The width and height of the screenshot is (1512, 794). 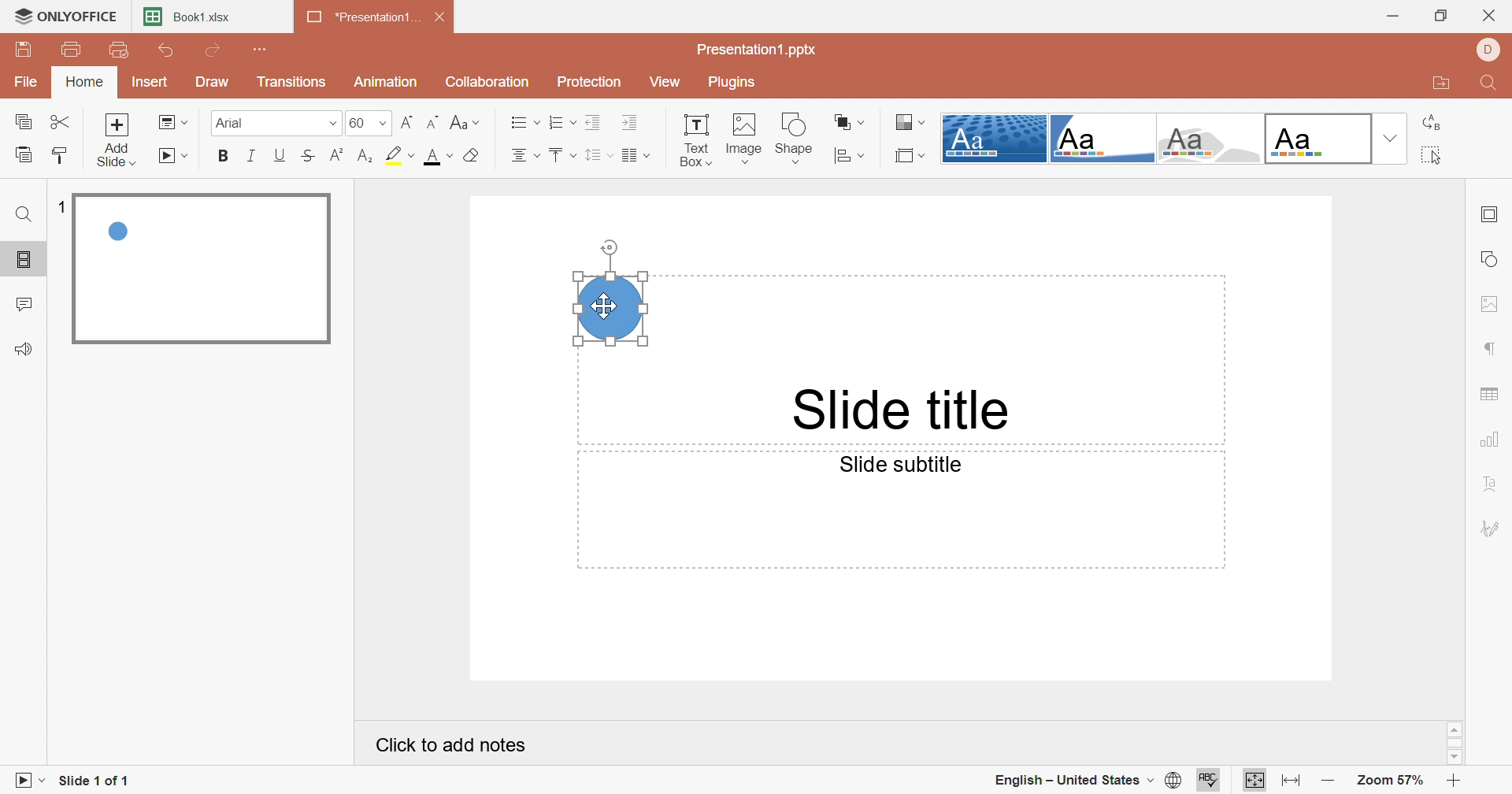 I want to click on 1, so click(x=65, y=209).